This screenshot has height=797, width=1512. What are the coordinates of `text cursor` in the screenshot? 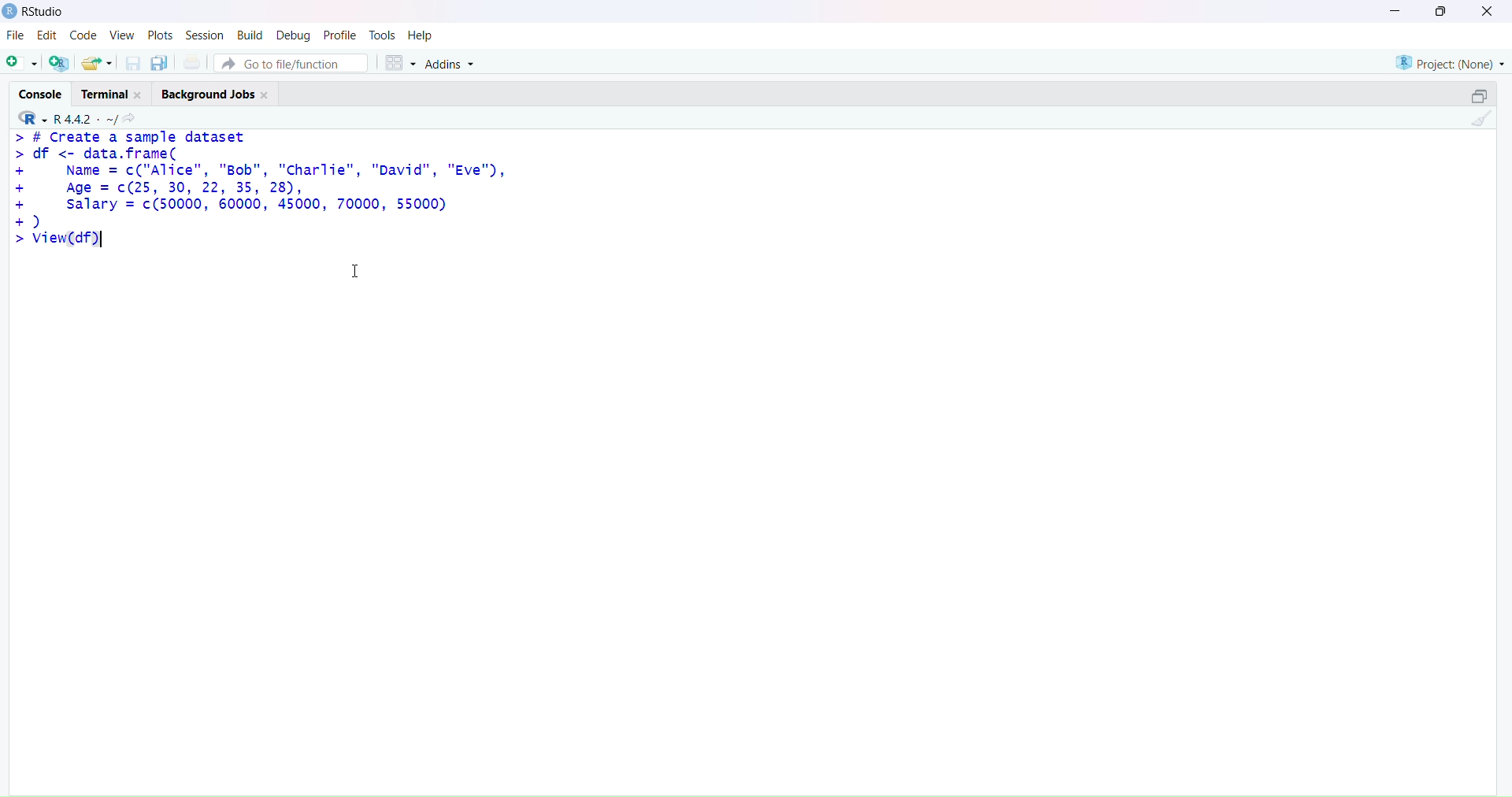 It's located at (101, 239).